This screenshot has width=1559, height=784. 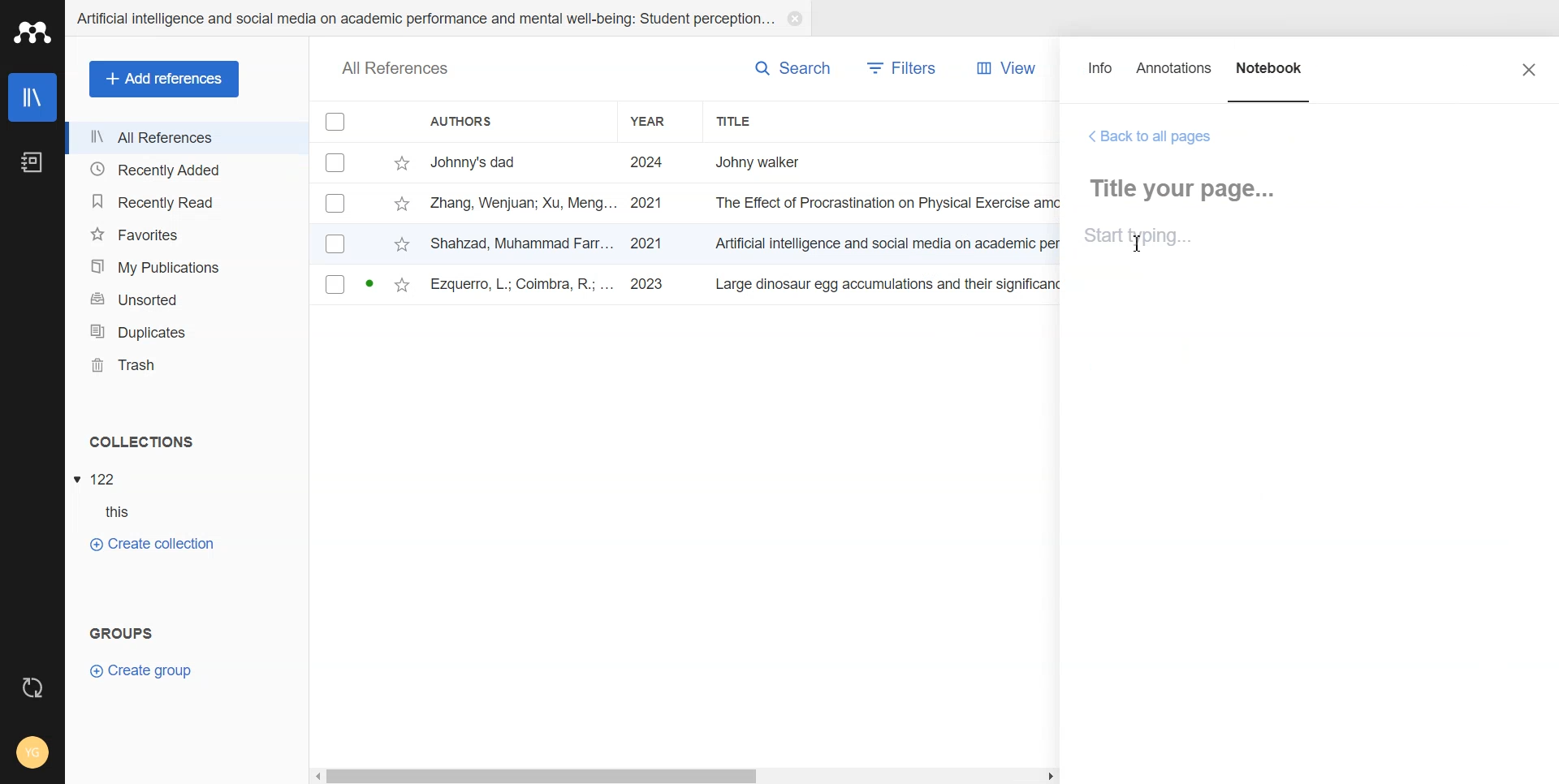 What do you see at coordinates (524, 202) in the screenshot?
I see `zang, wenjuan; xu, meng...` at bounding box center [524, 202].